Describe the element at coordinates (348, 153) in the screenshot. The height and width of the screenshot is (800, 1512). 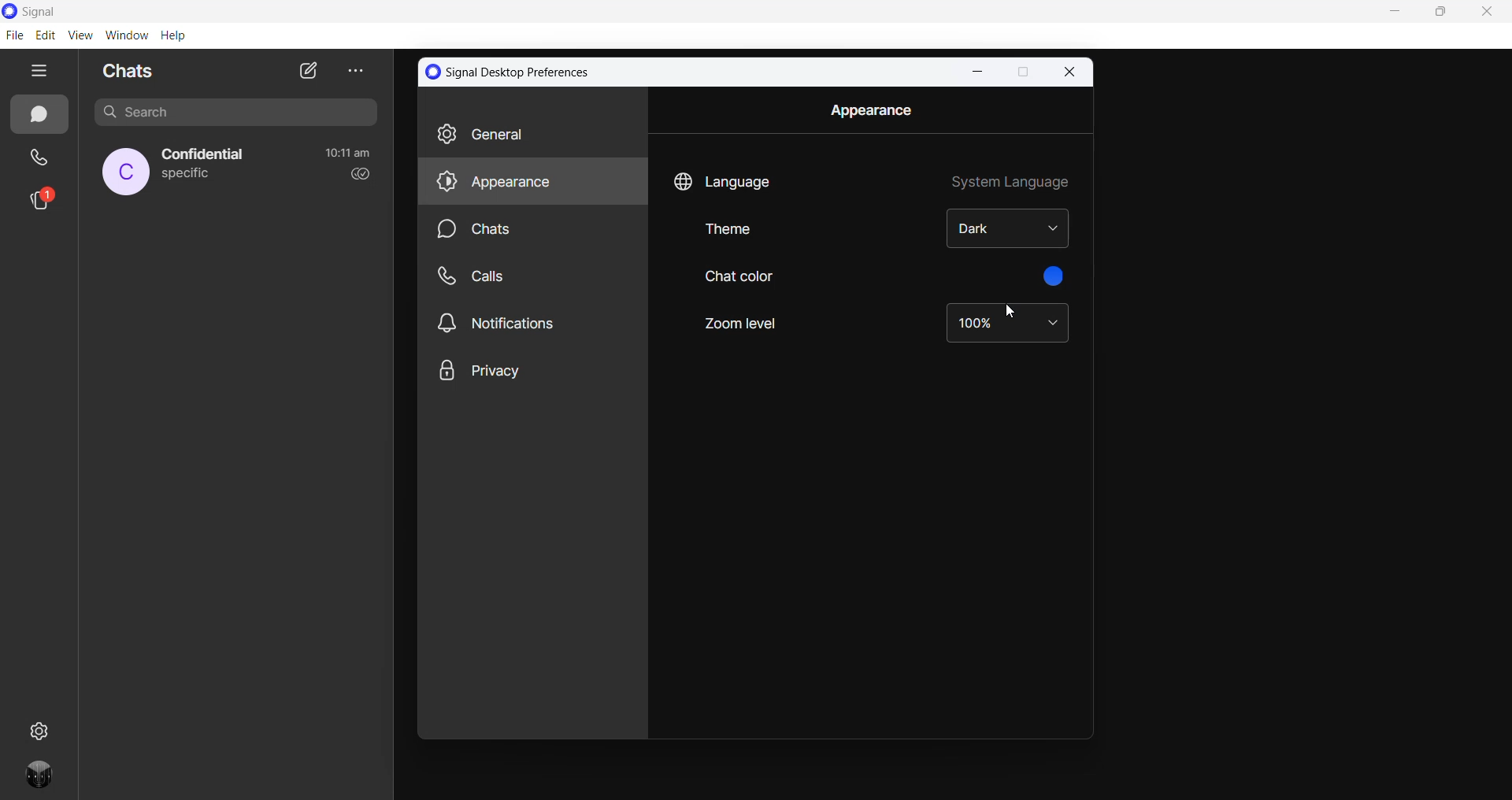
I see `timestamp` at that location.